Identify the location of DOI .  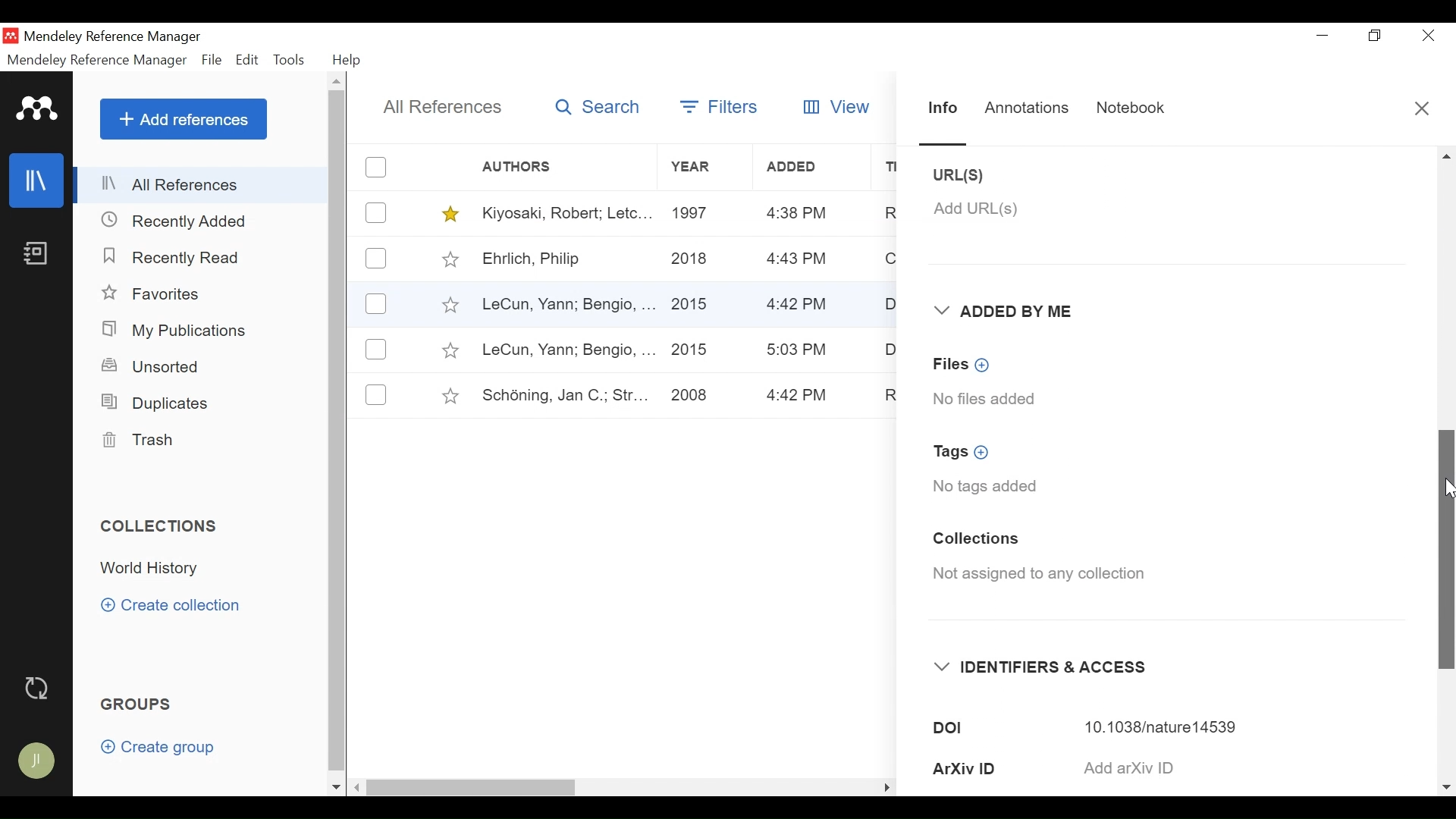
(1171, 726).